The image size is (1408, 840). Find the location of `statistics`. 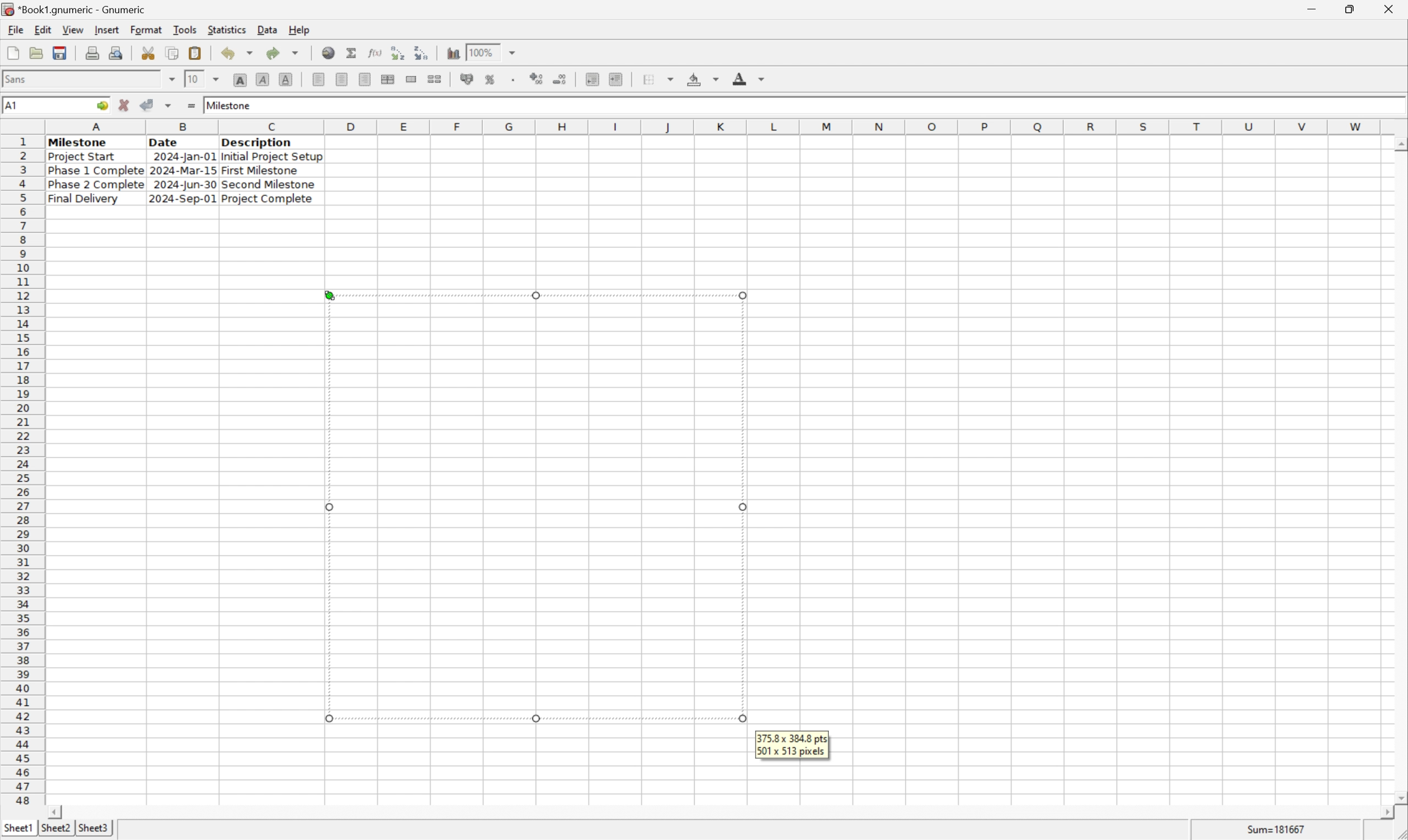

statistics is located at coordinates (228, 29).